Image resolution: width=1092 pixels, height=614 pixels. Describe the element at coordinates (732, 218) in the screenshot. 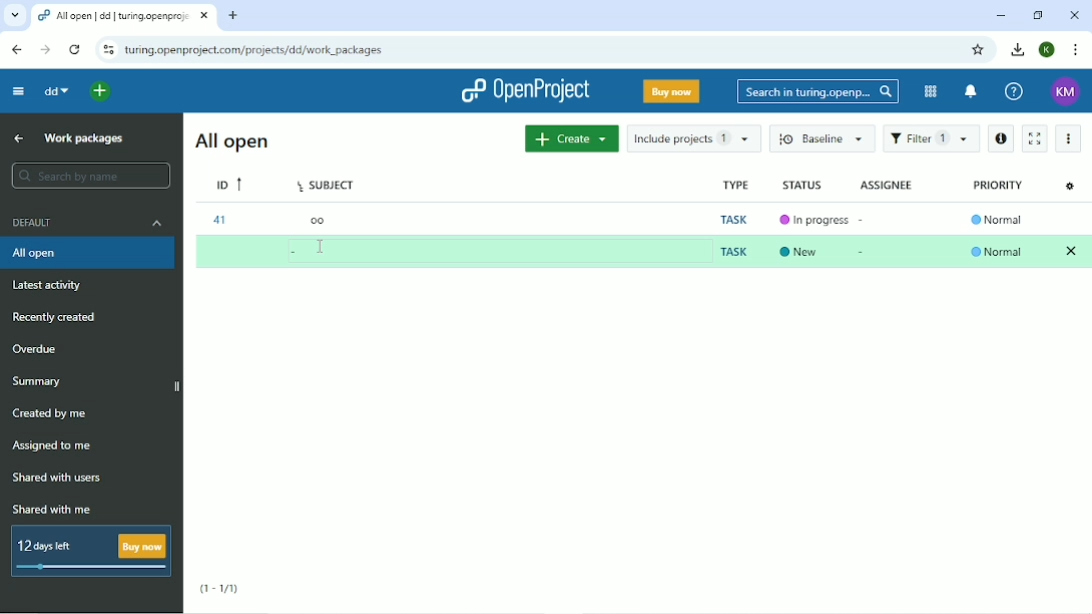

I see `Task` at that location.